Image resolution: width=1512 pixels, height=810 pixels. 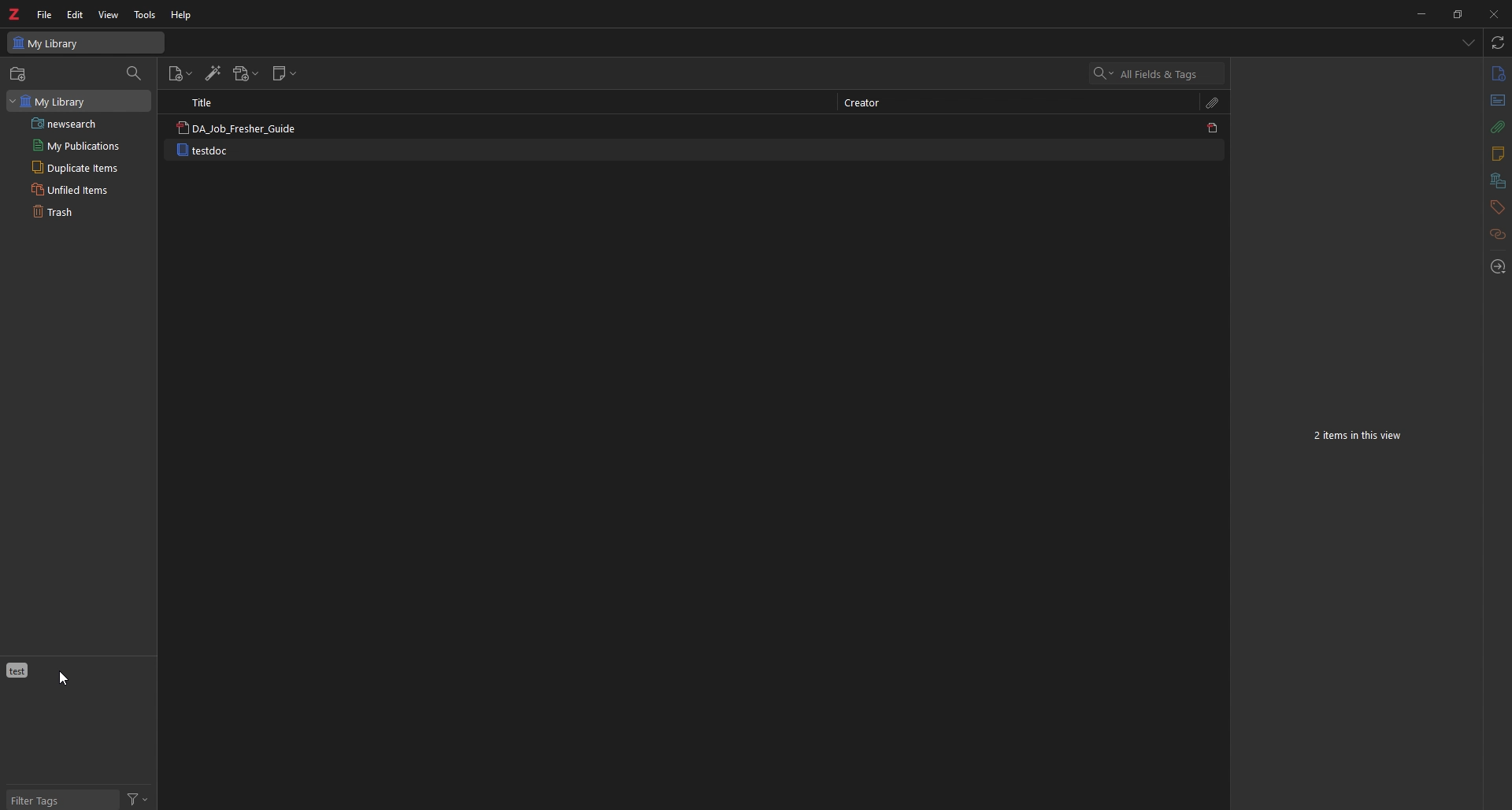 I want to click on locate, so click(x=1497, y=267).